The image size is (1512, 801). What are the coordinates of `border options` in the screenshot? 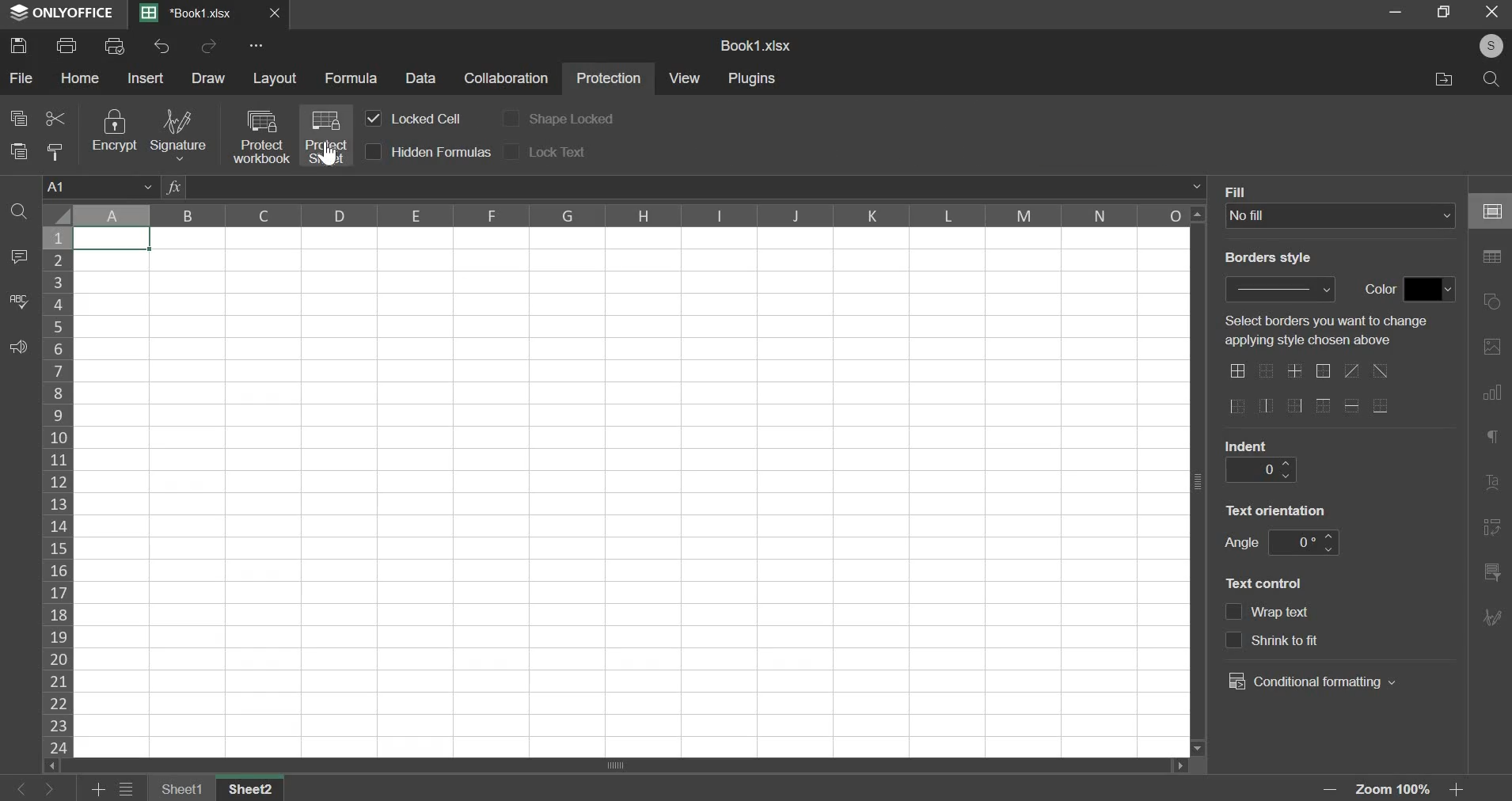 It's located at (1296, 371).